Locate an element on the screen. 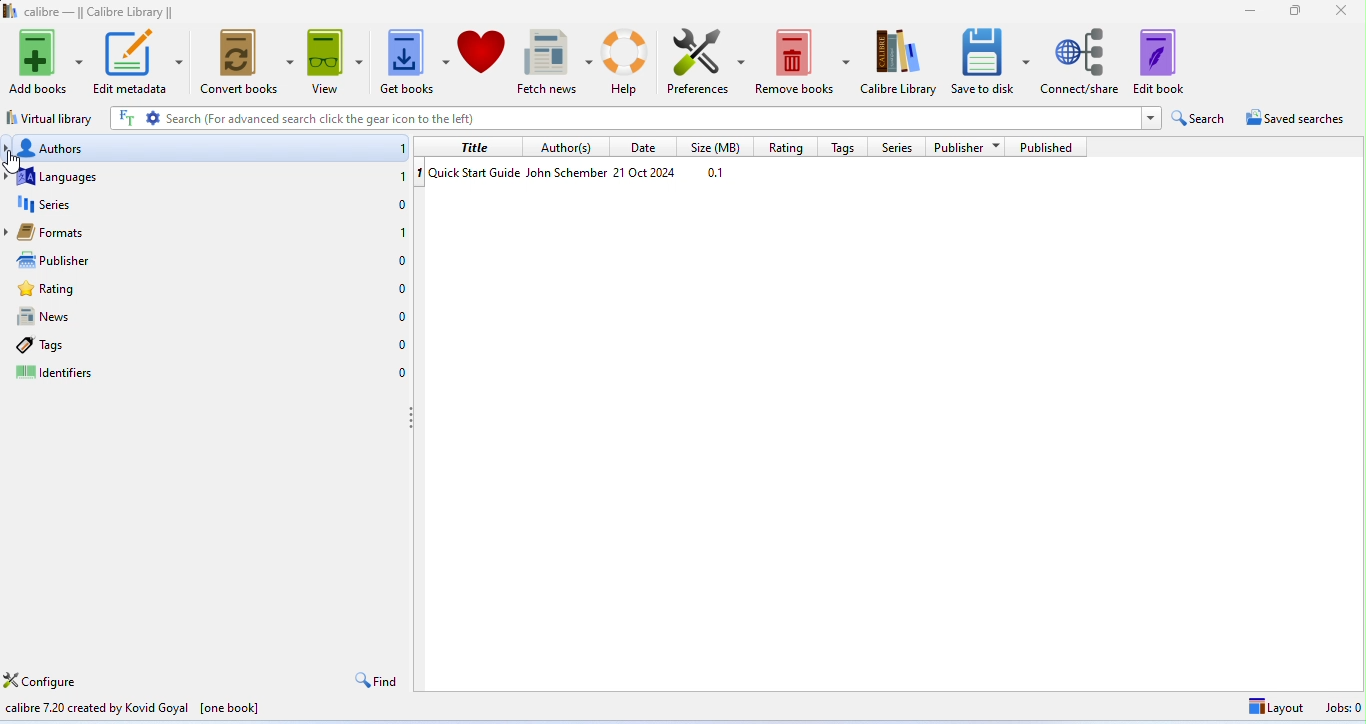 The width and height of the screenshot is (1366, 724). saved searches is located at coordinates (1294, 118).